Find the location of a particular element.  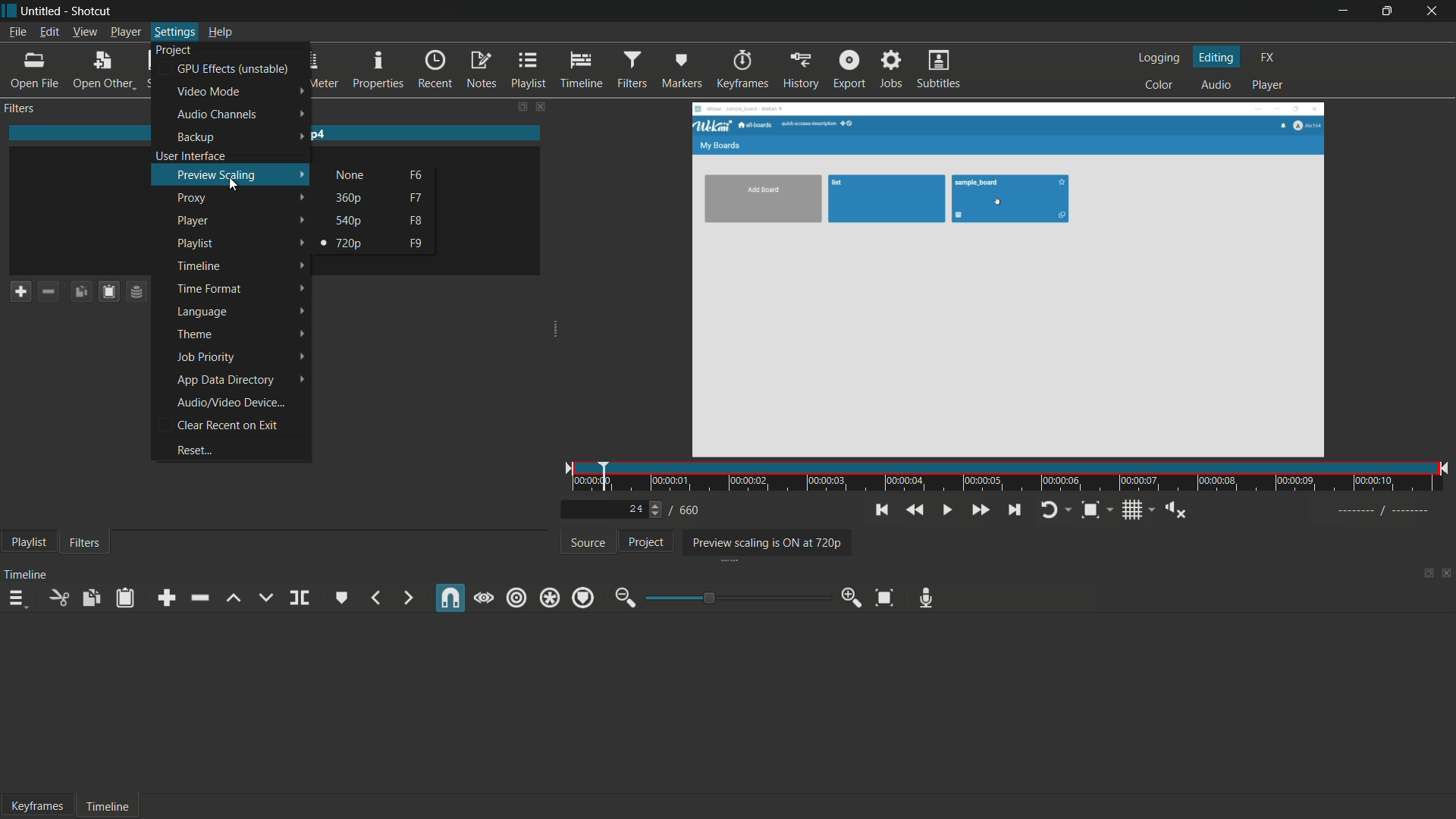

proxy is located at coordinates (194, 198).